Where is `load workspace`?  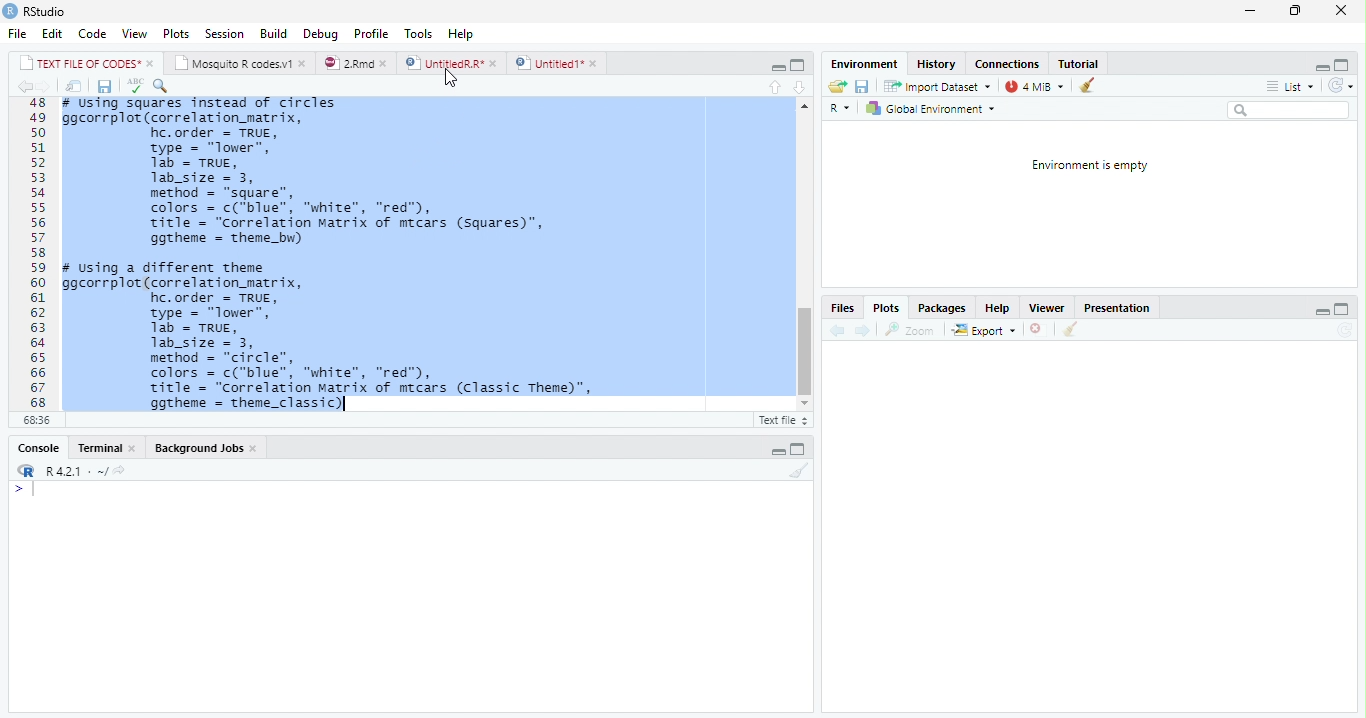 load workspace is located at coordinates (836, 86).